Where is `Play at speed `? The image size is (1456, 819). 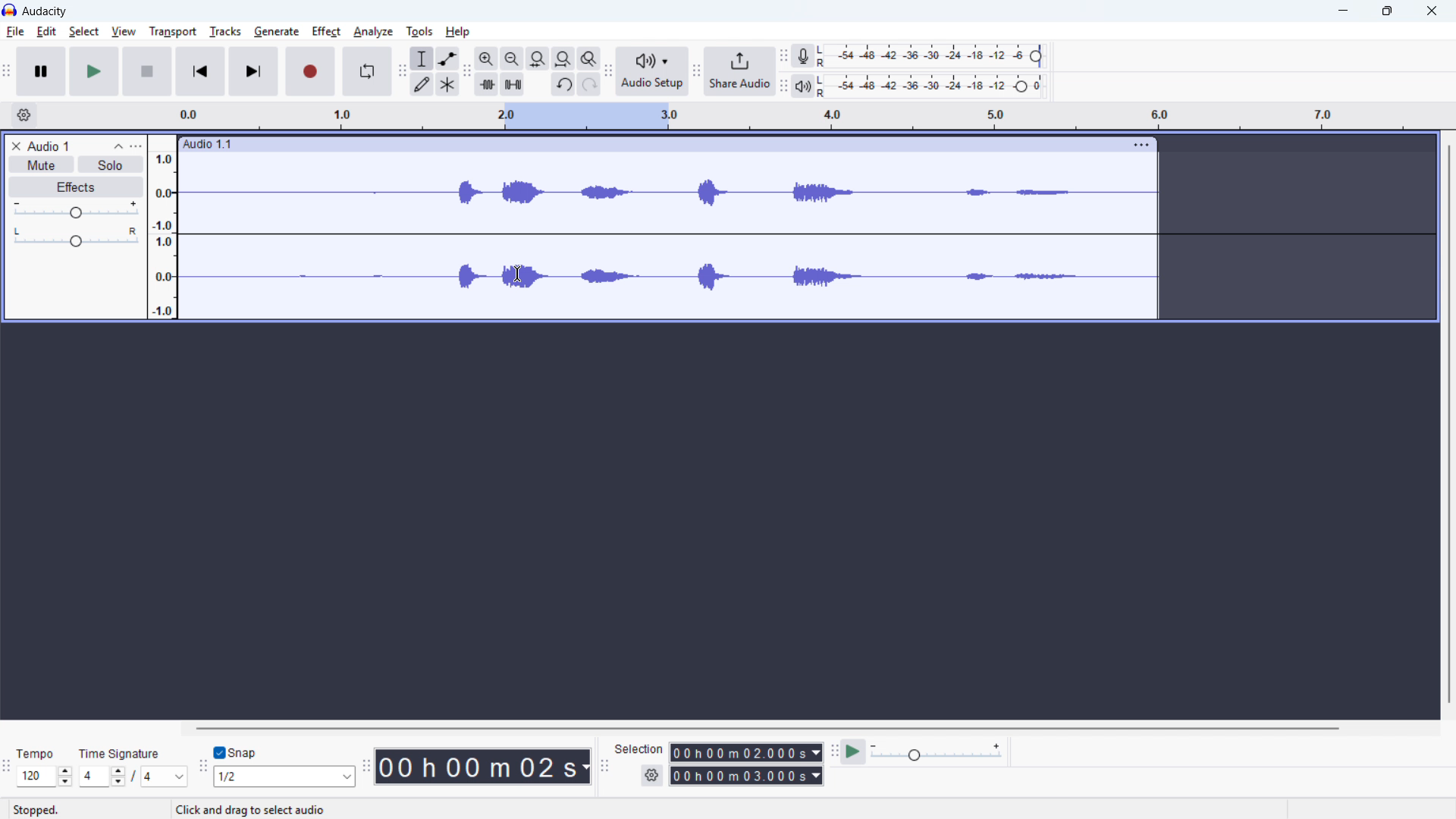 Play at speed  is located at coordinates (854, 752).